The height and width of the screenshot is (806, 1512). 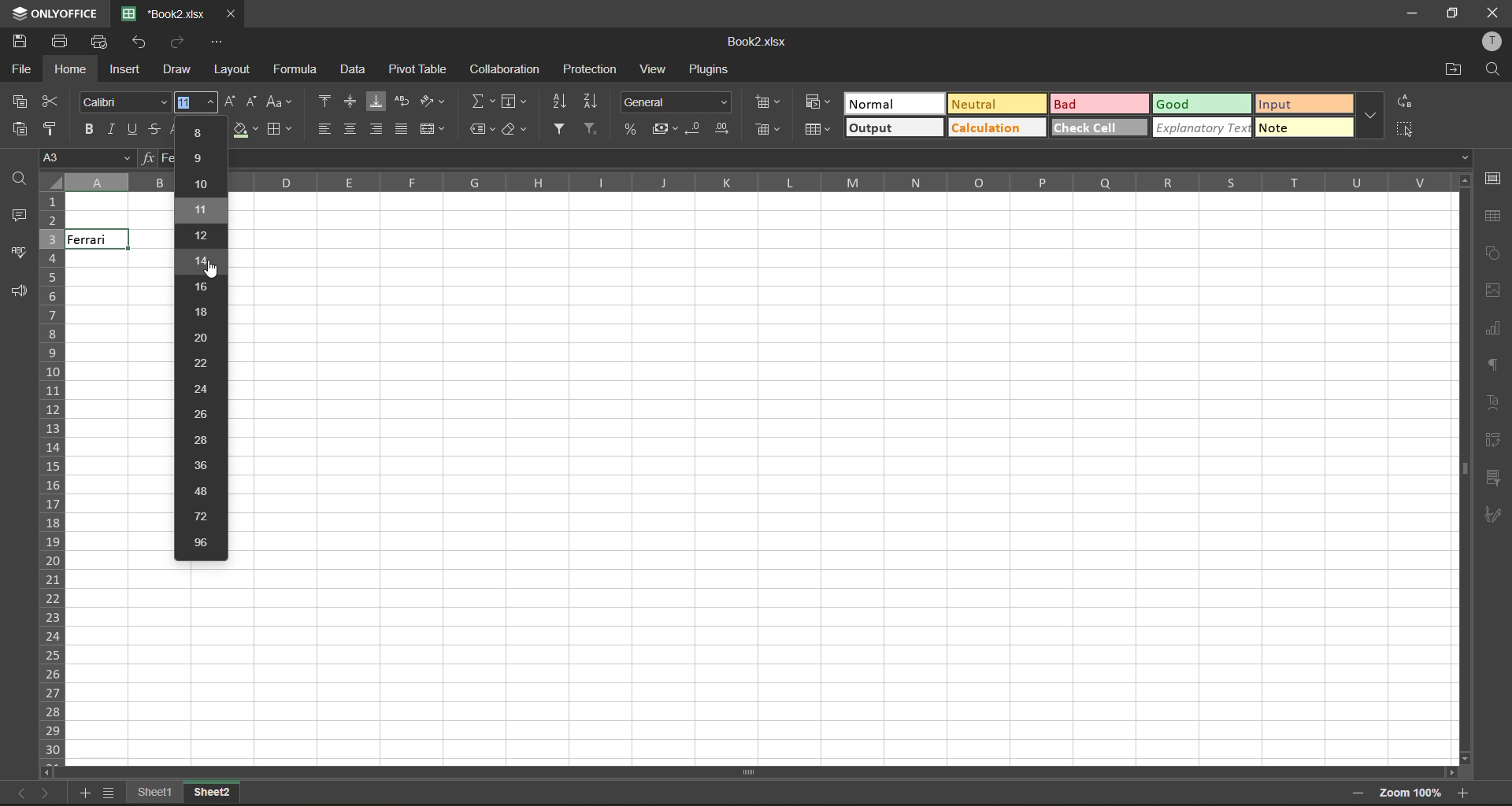 What do you see at coordinates (96, 239) in the screenshot?
I see `Ferrari` at bounding box center [96, 239].